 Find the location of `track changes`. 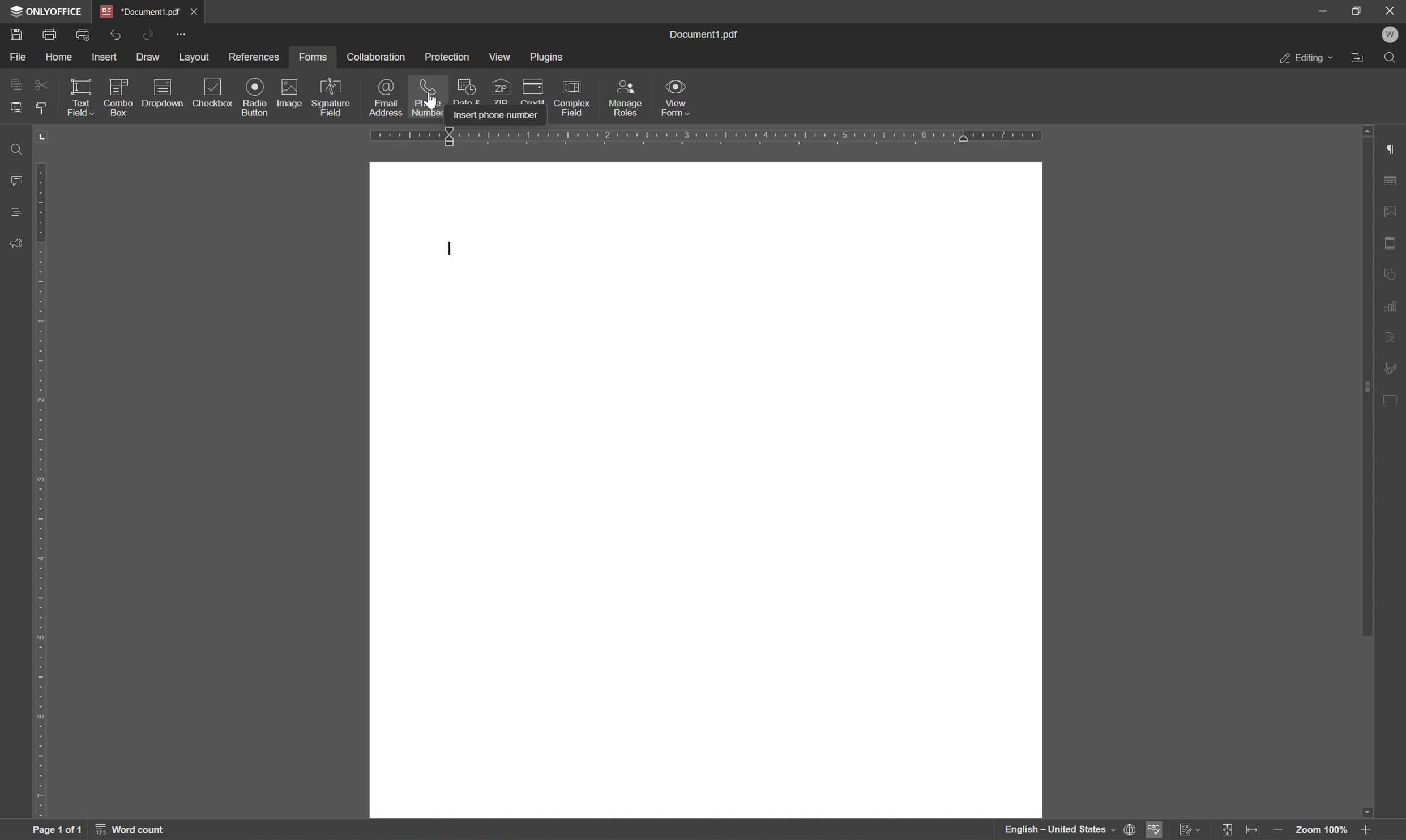

track changes is located at coordinates (1189, 829).